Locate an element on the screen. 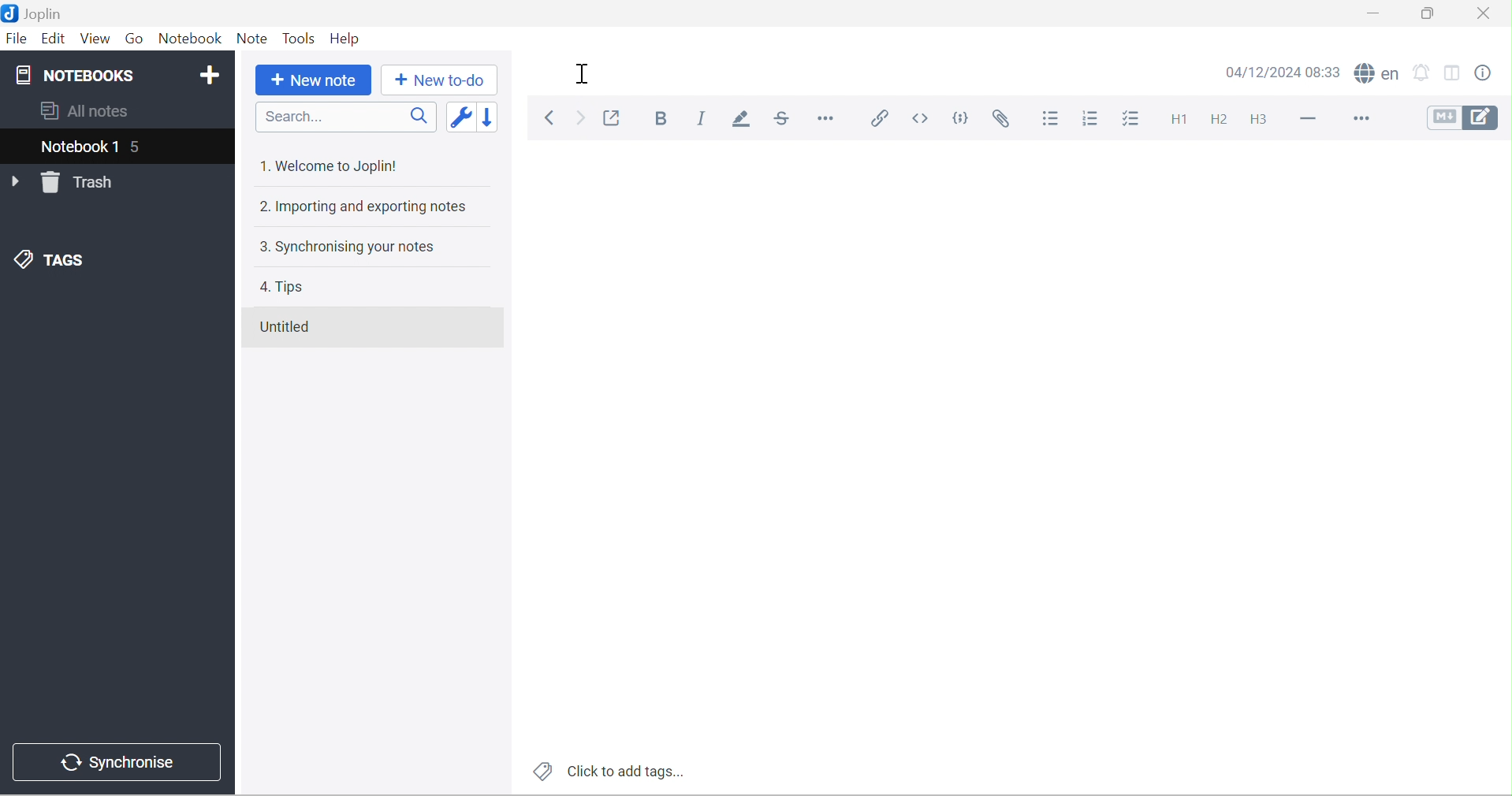 The width and height of the screenshot is (1512, 796). Add notebook is located at coordinates (210, 76).